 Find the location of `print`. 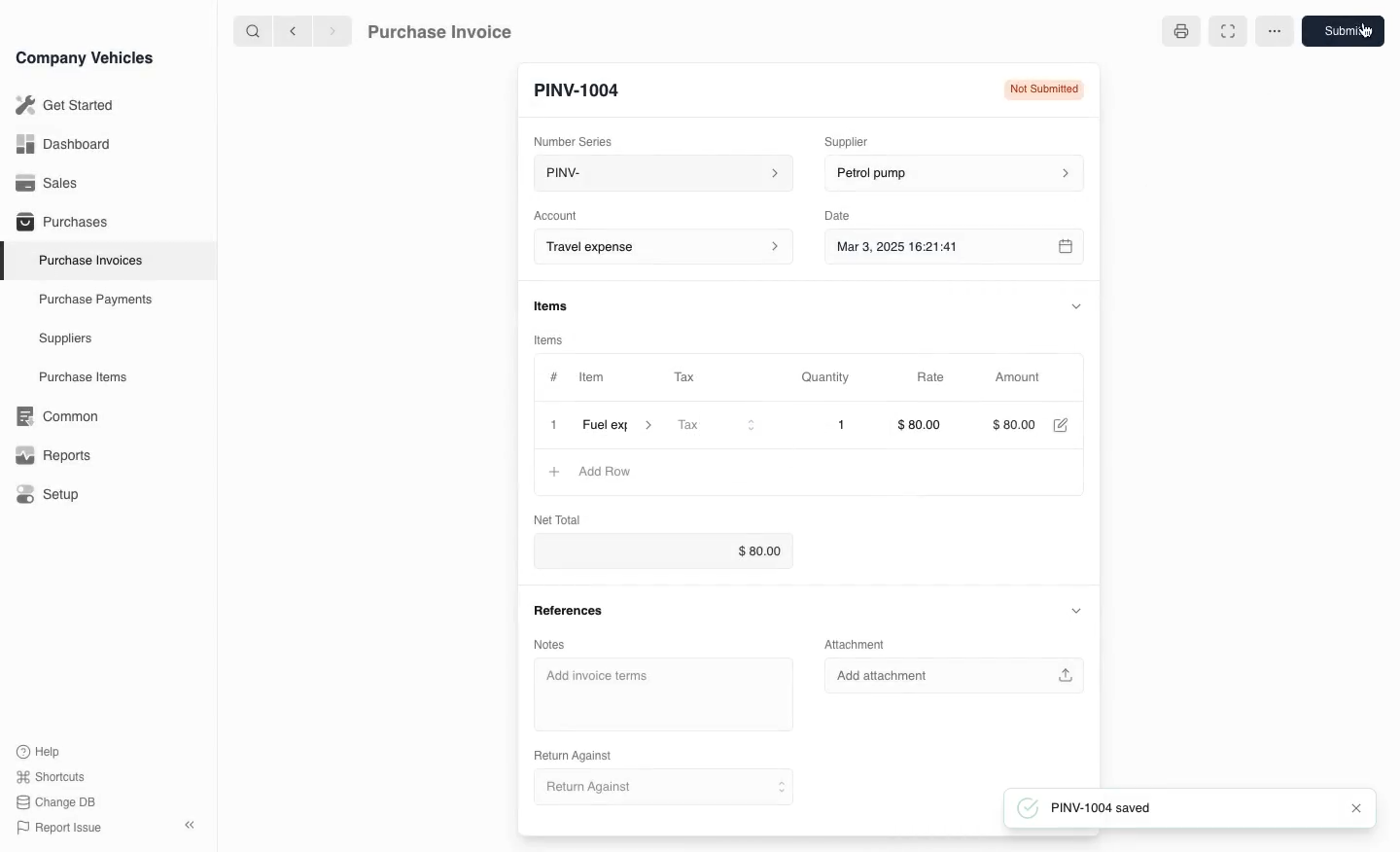

print is located at coordinates (1179, 32).